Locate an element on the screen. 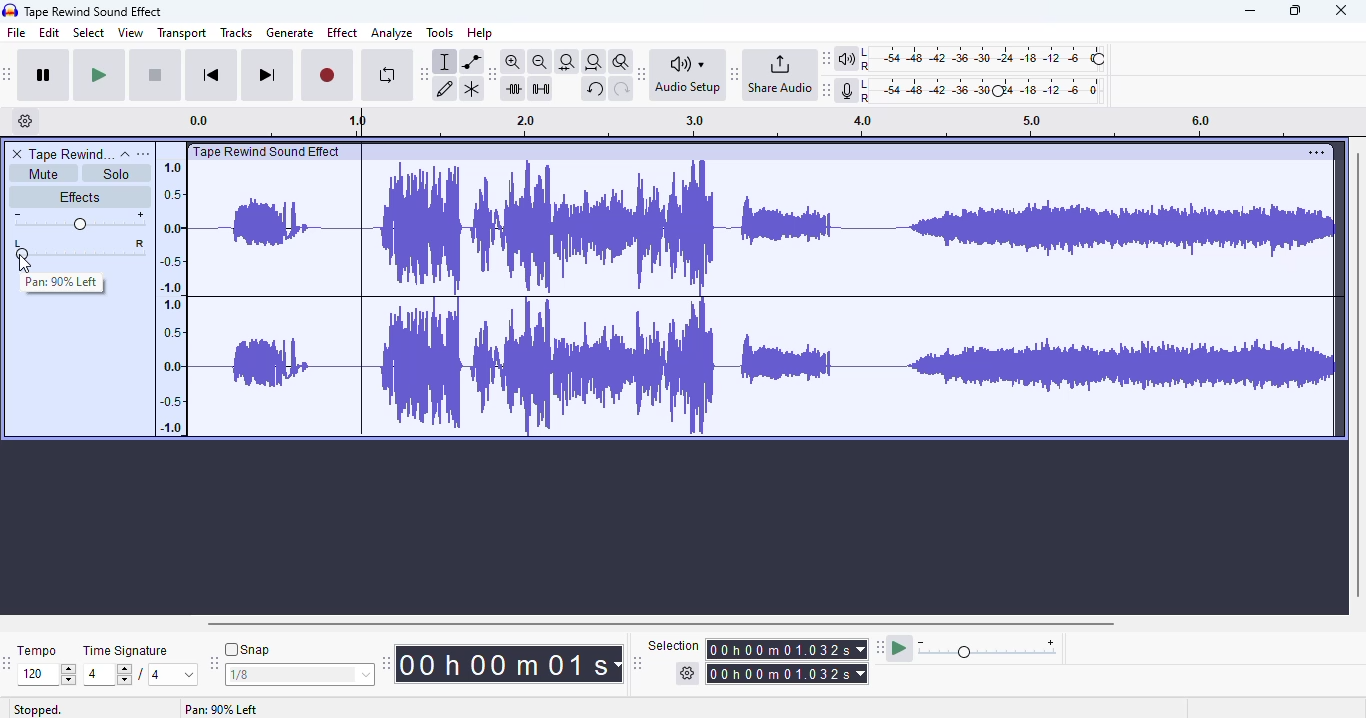 The height and width of the screenshot is (718, 1366). draw tool is located at coordinates (445, 90).